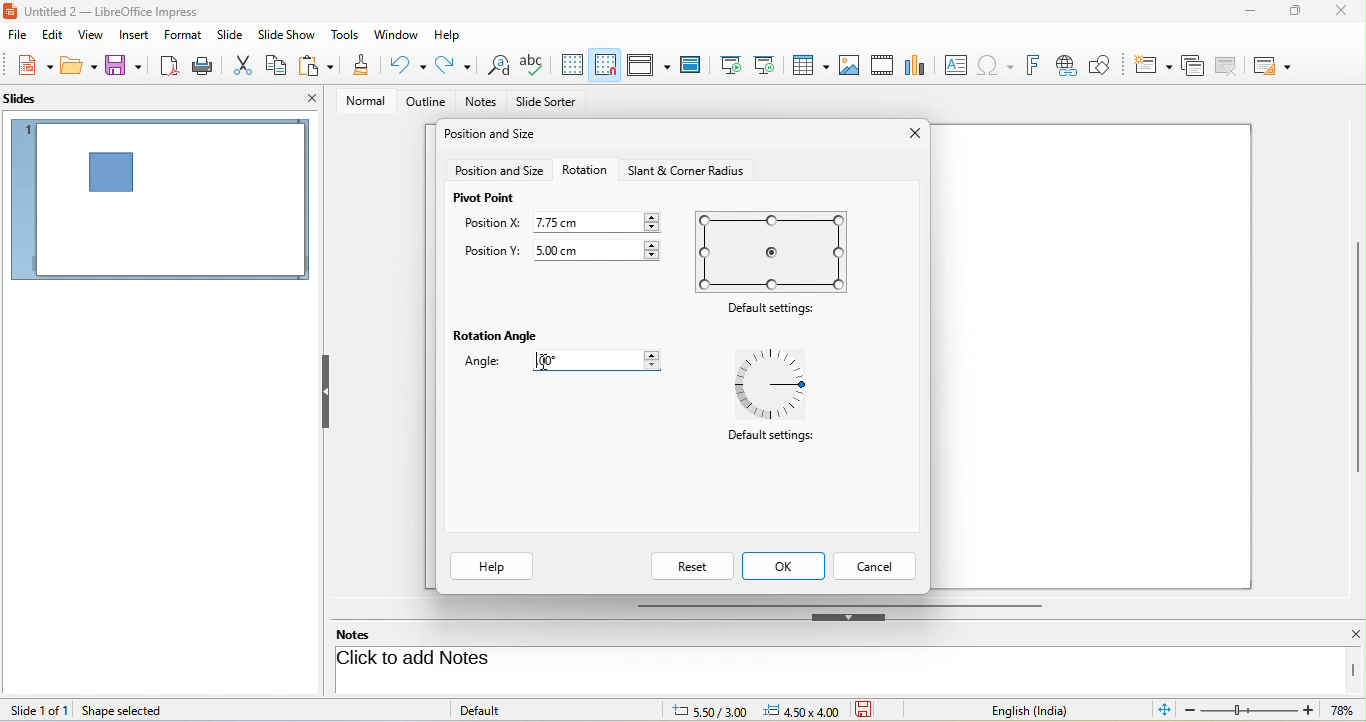  I want to click on untitled 2-libre office impress, so click(123, 10).